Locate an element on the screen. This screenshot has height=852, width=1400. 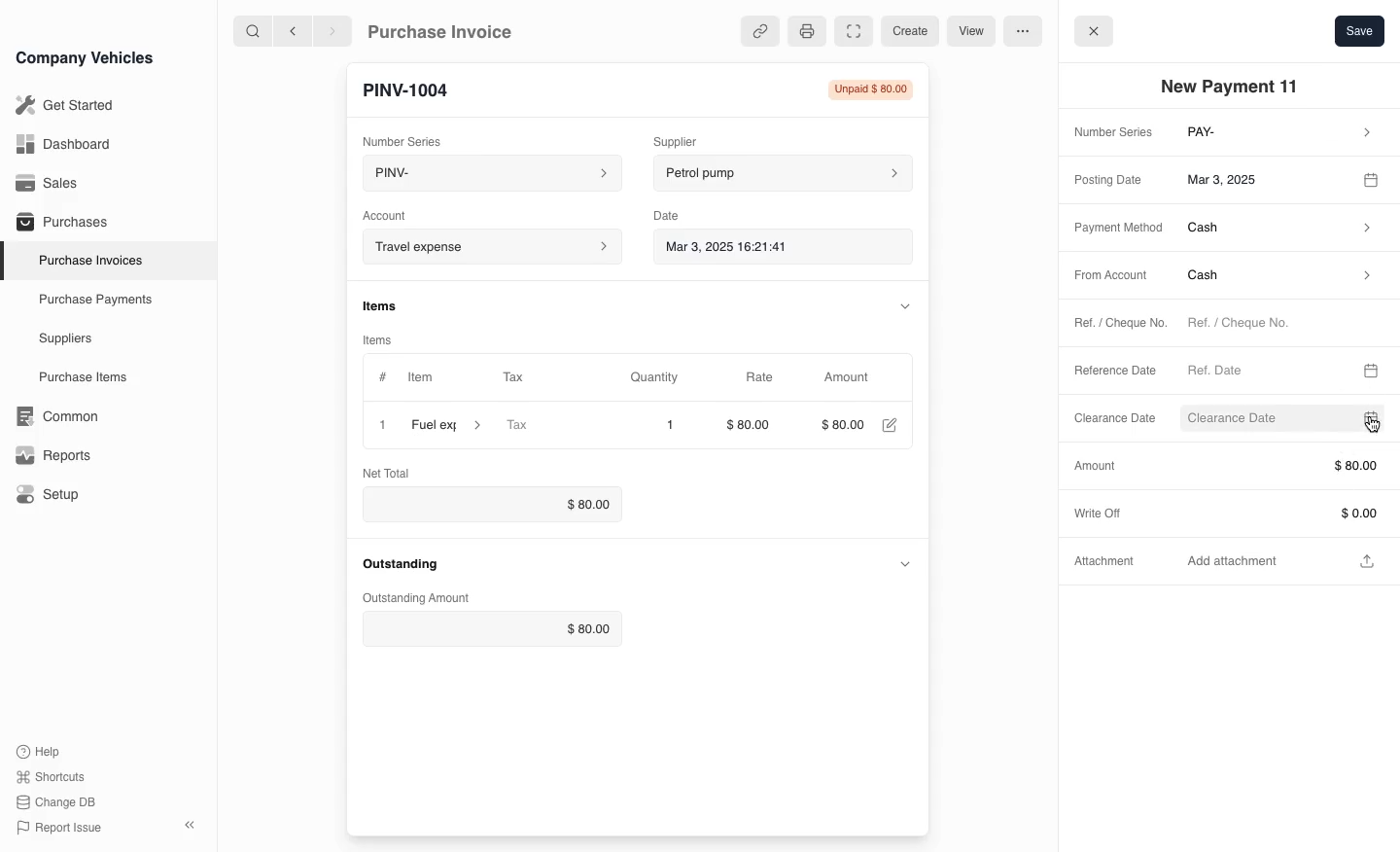
Suppliers is located at coordinates (64, 339).